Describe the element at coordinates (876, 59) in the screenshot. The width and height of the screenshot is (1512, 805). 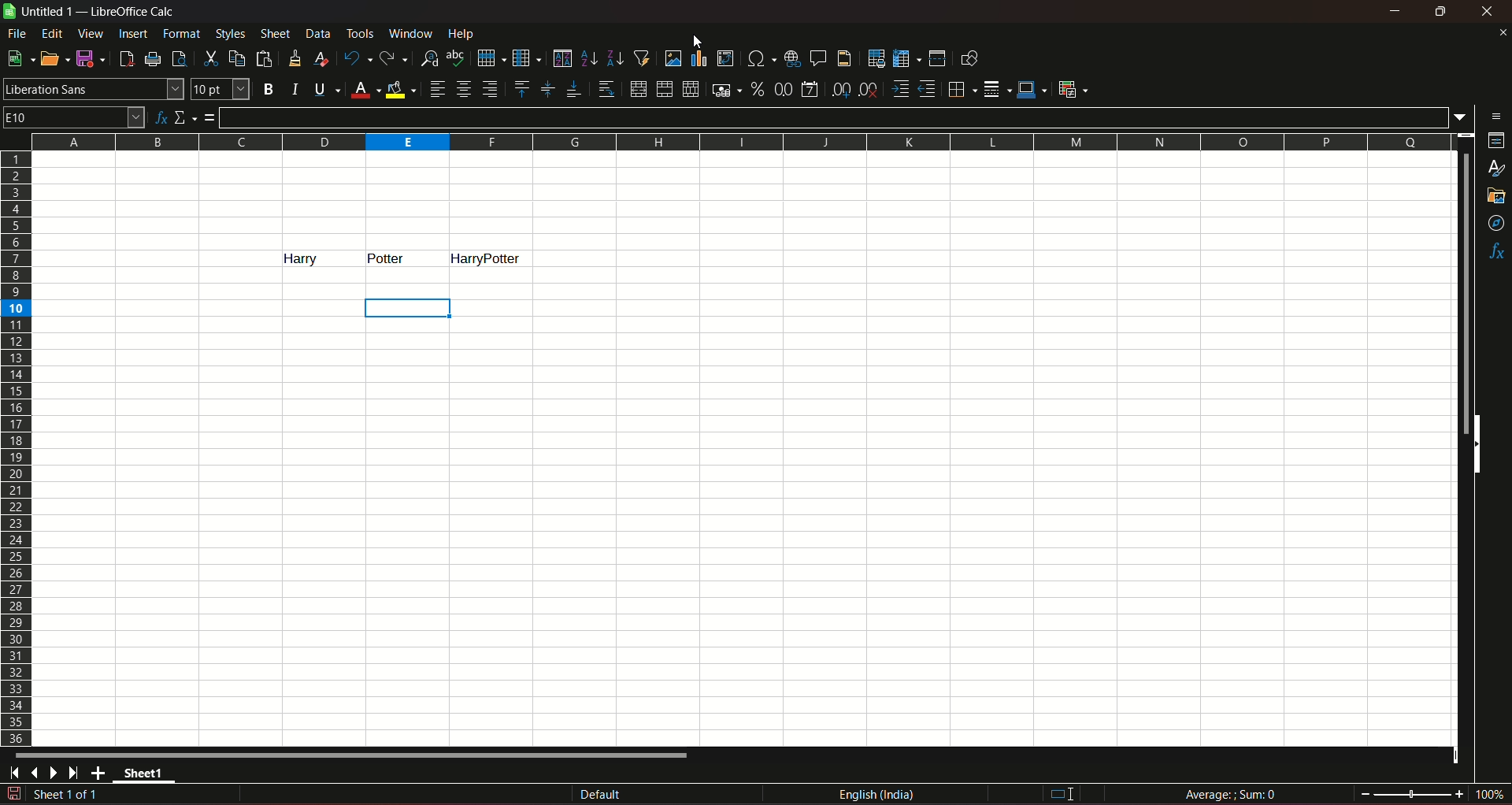
I see `define print area` at that location.